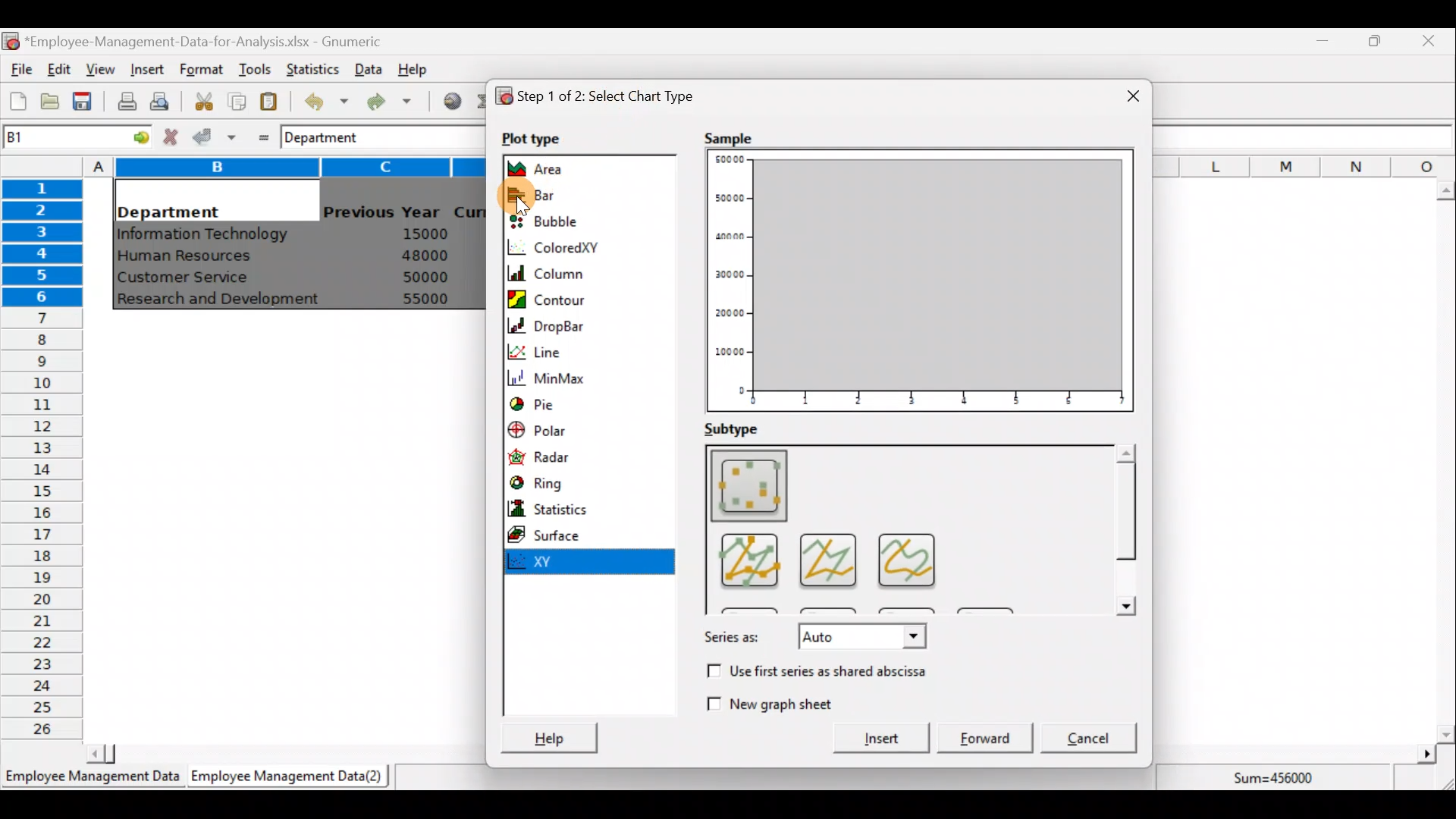 The width and height of the screenshot is (1456, 819). What do you see at coordinates (146, 70) in the screenshot?
I see `Insert` at bounding box center [146, 70].